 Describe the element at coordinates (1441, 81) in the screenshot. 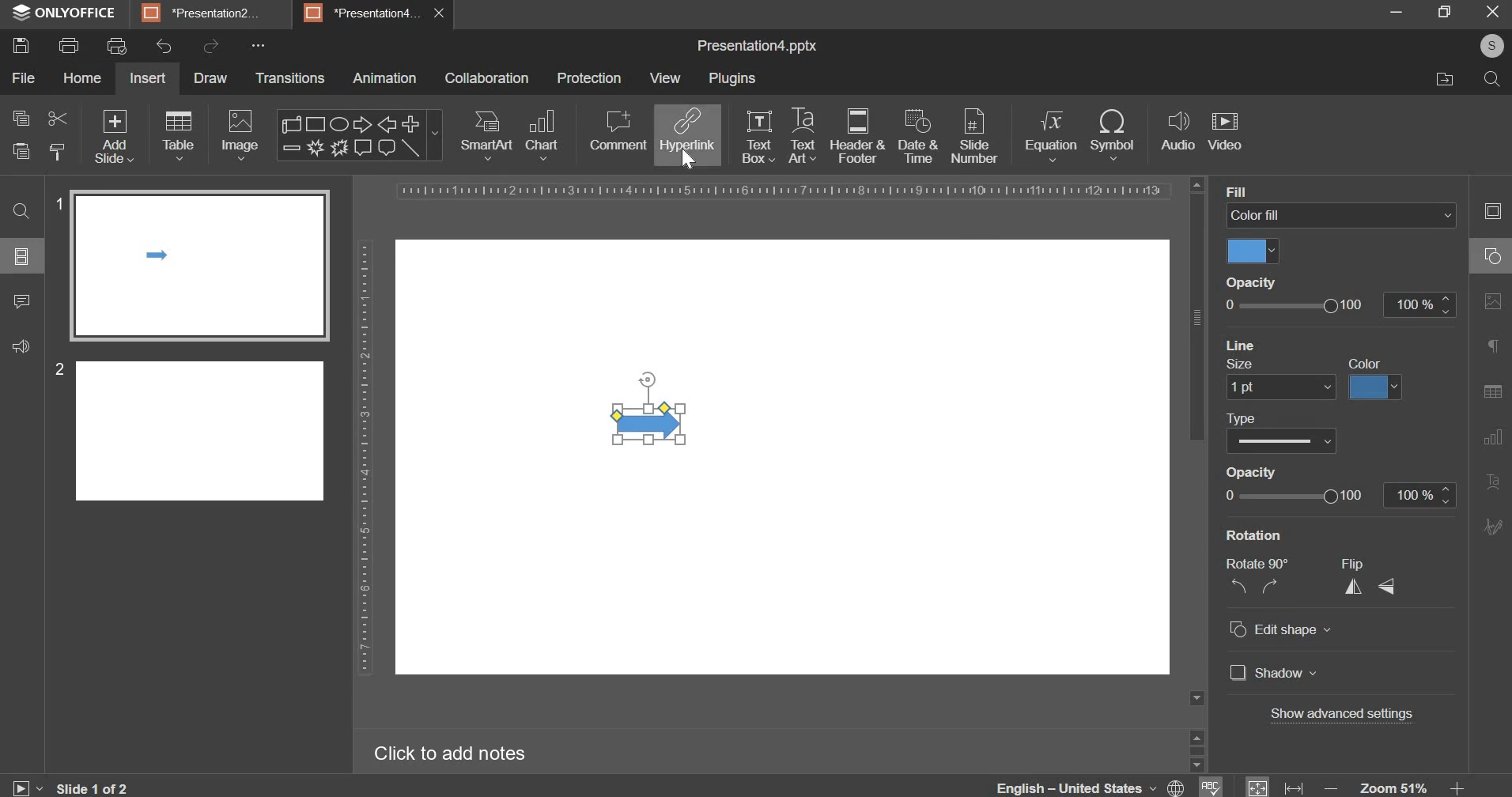

I see `move` at that location.